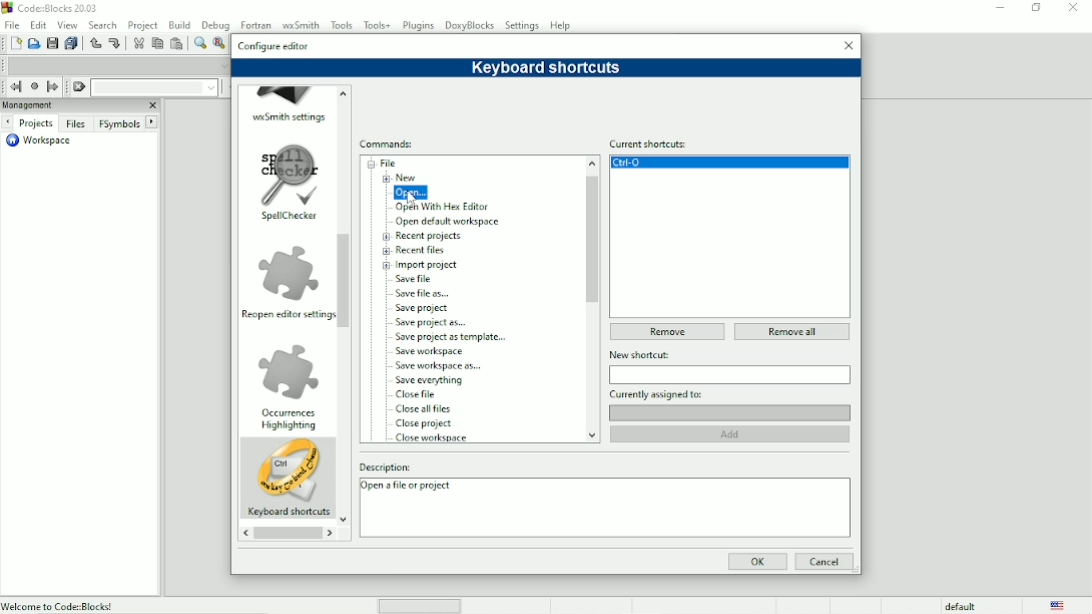 The height and width of the screenshot is (614, 1092). What do you see at coordinates (390, 144) in the screenshot?
I see `Commands` at bounding box center [390, 144].